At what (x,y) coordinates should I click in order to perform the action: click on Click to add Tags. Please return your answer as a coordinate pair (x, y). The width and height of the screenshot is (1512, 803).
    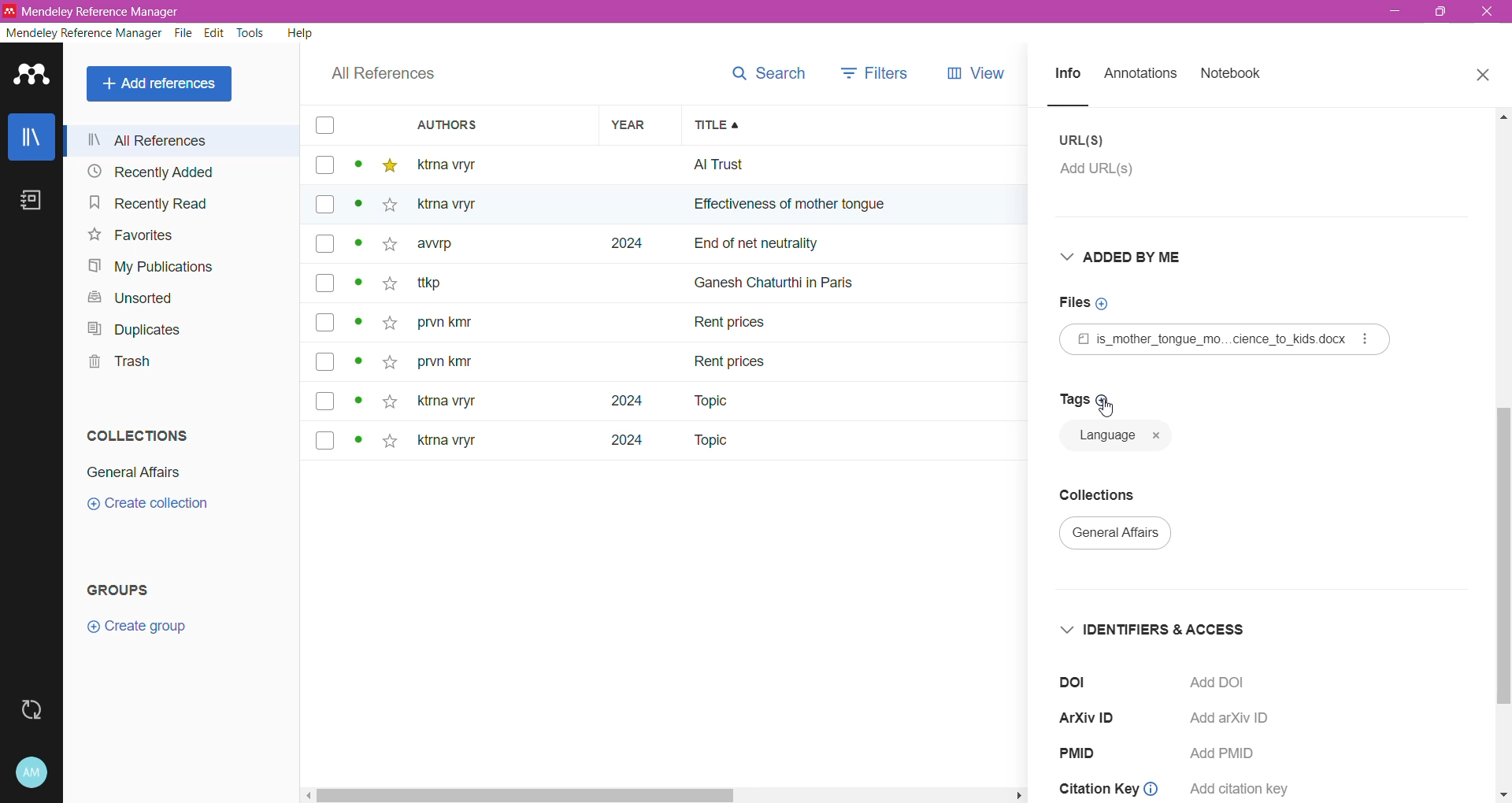
    Looking at the image, I should click on (1080, 399).